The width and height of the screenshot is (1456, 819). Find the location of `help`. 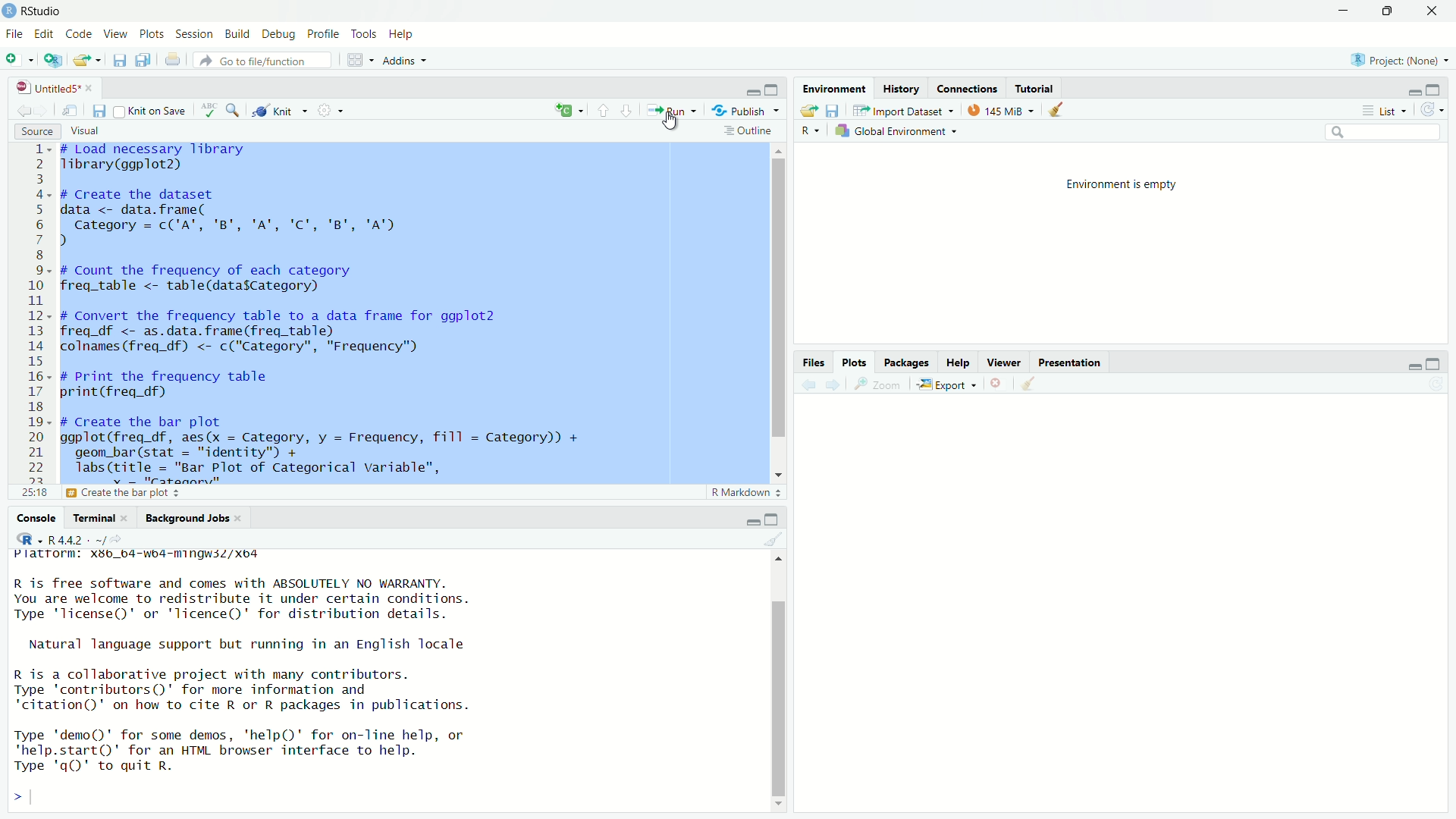

help is located at coordinates (958, 363).